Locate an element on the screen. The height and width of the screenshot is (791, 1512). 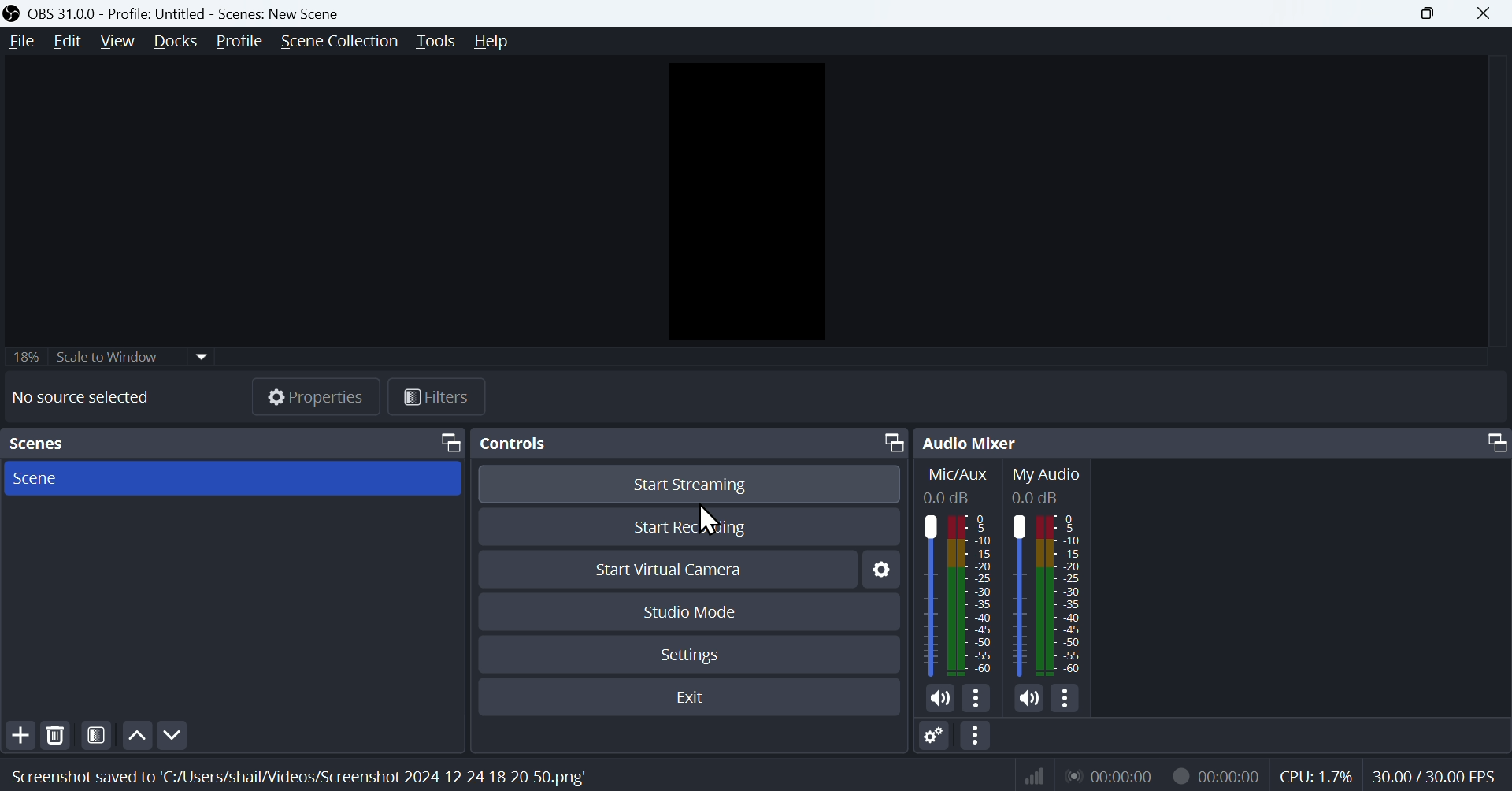
Delete is located at coordinates (55, 735).